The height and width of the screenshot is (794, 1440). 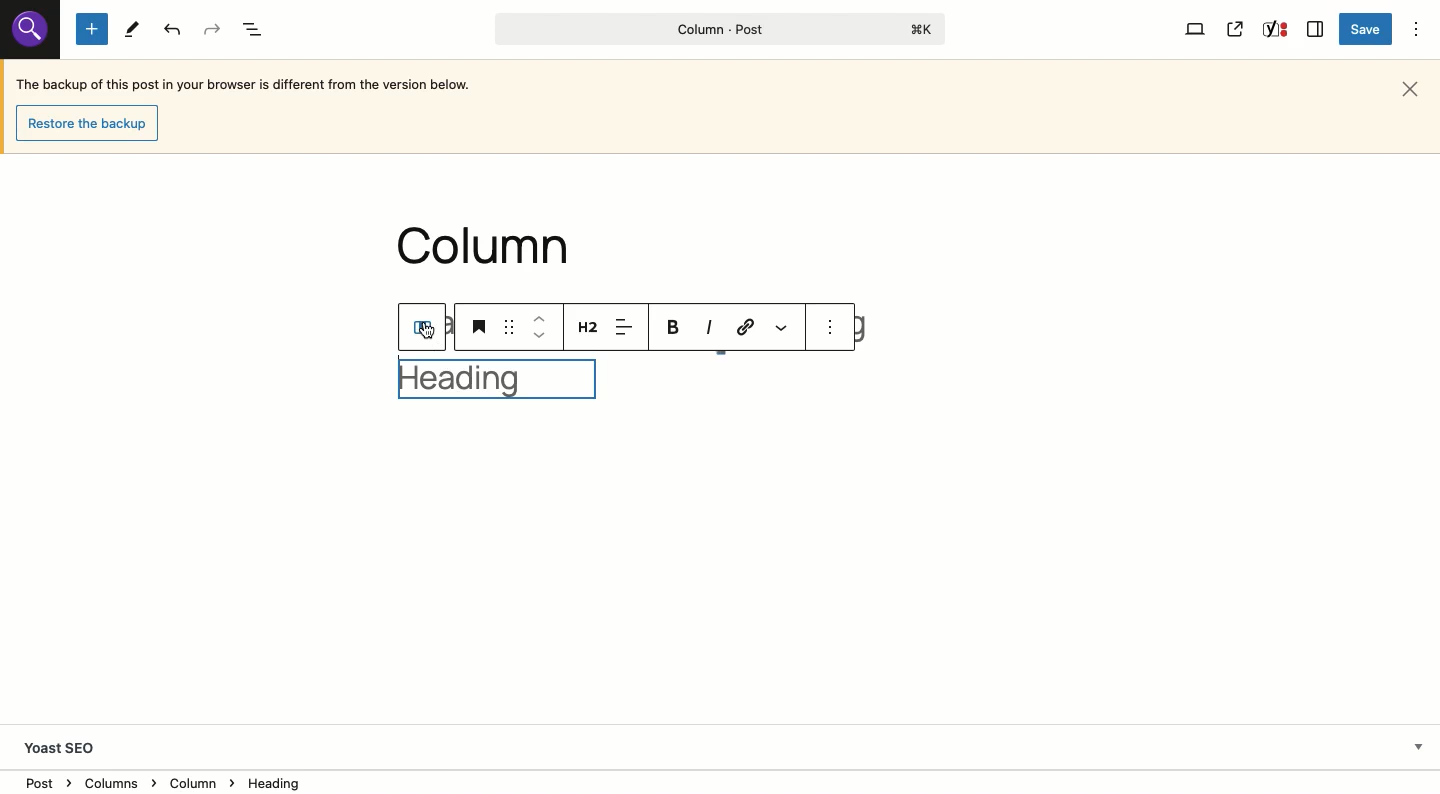 What do you see at coordinates (715, 29) in the screenshot?
I see `Column - Post` at bounding box center [715, 29].